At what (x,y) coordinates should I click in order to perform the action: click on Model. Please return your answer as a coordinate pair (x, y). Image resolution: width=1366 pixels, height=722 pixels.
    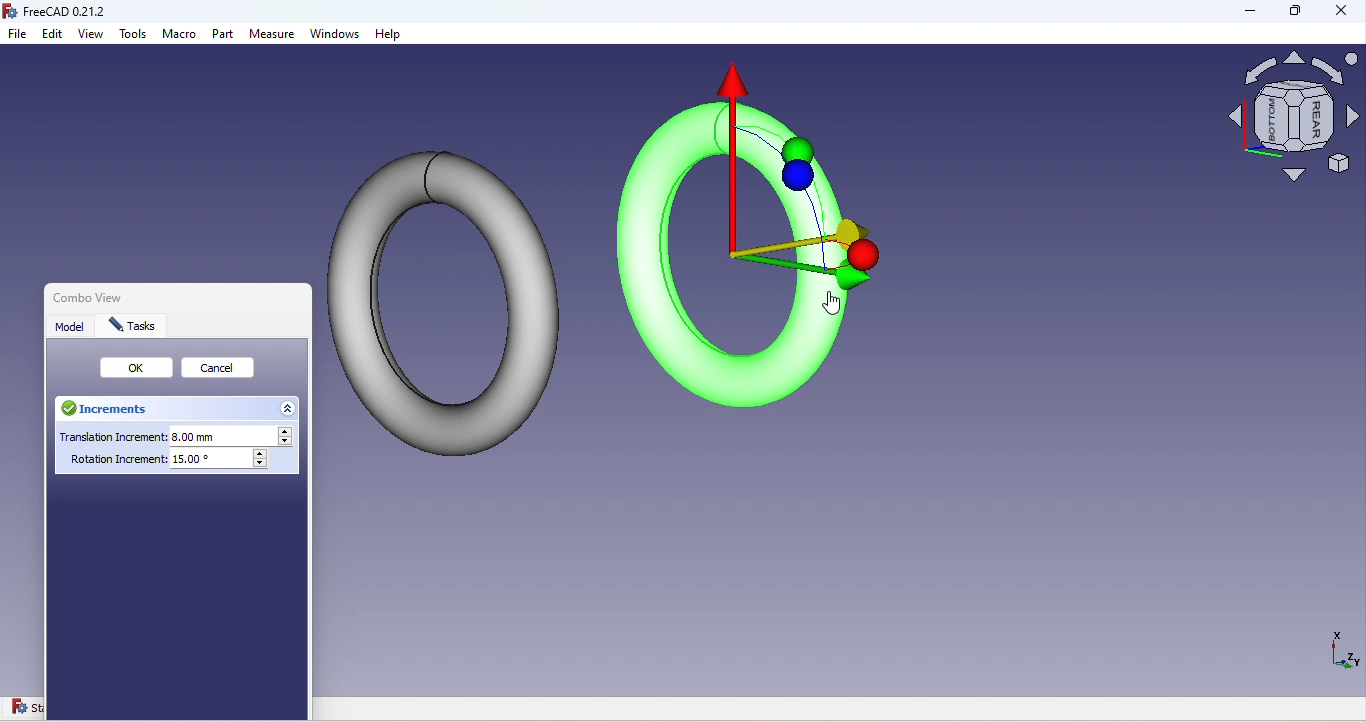
    Looking at the image, I should click on (72, 326).